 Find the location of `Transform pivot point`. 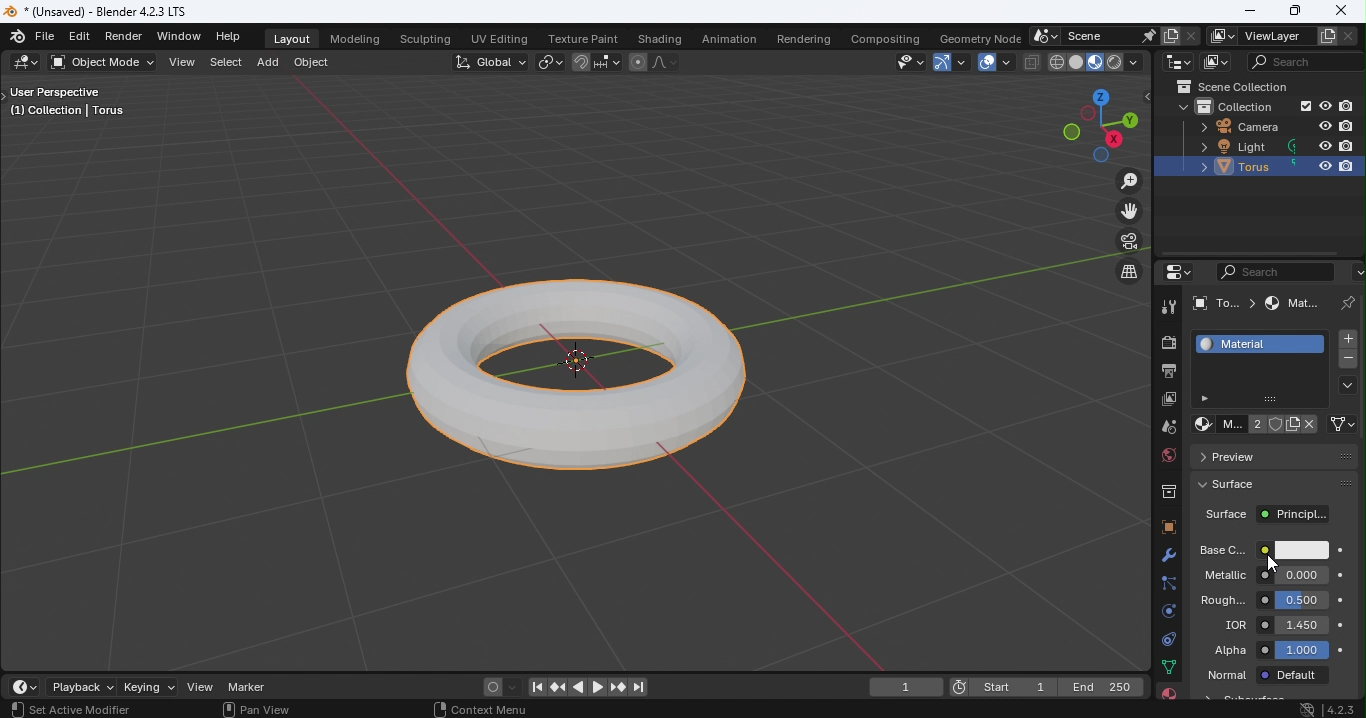

Transform pivot point is located at coordinates (549, 61).